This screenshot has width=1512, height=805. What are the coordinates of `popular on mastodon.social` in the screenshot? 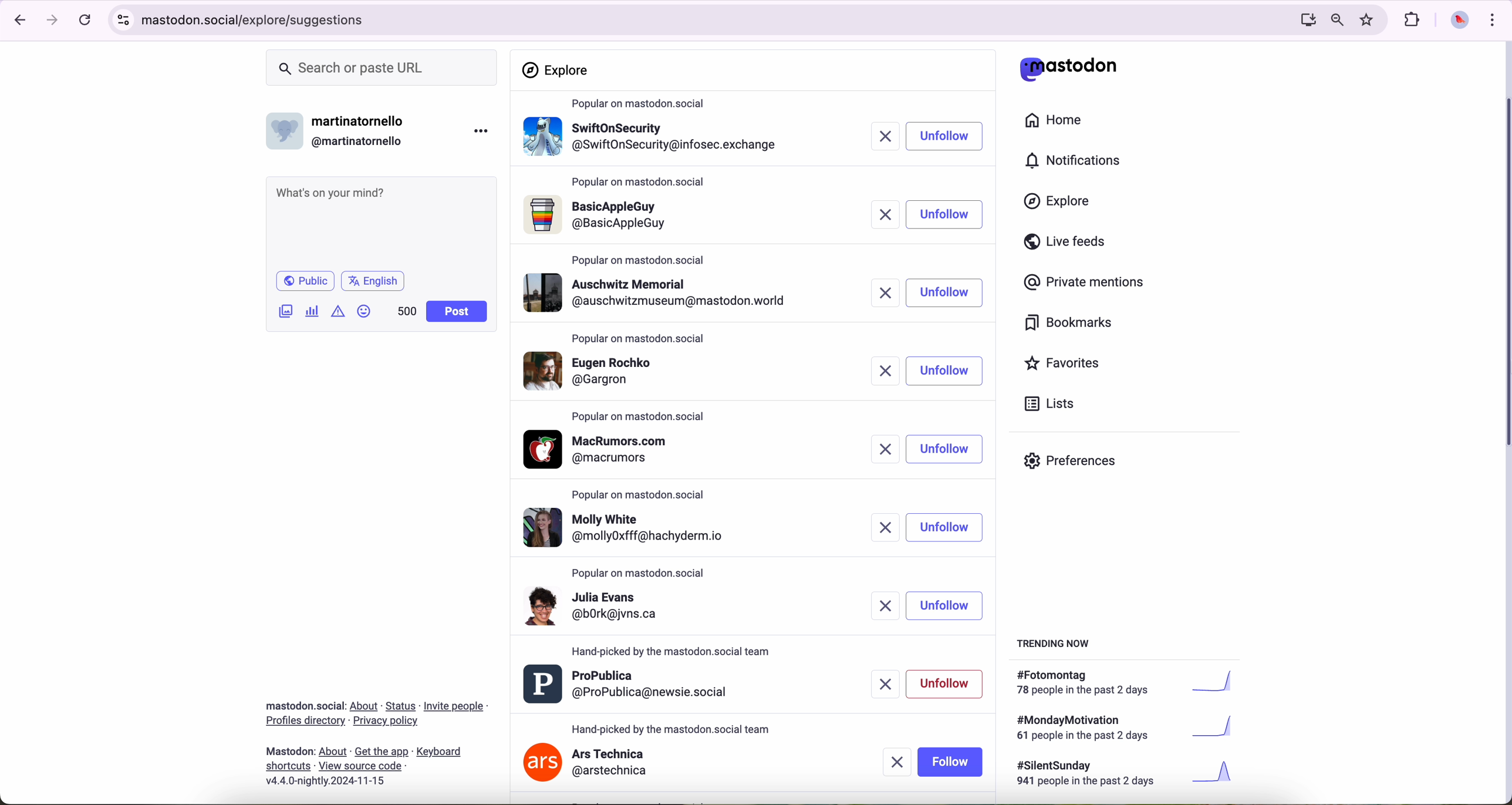 It's located at (643, 497).